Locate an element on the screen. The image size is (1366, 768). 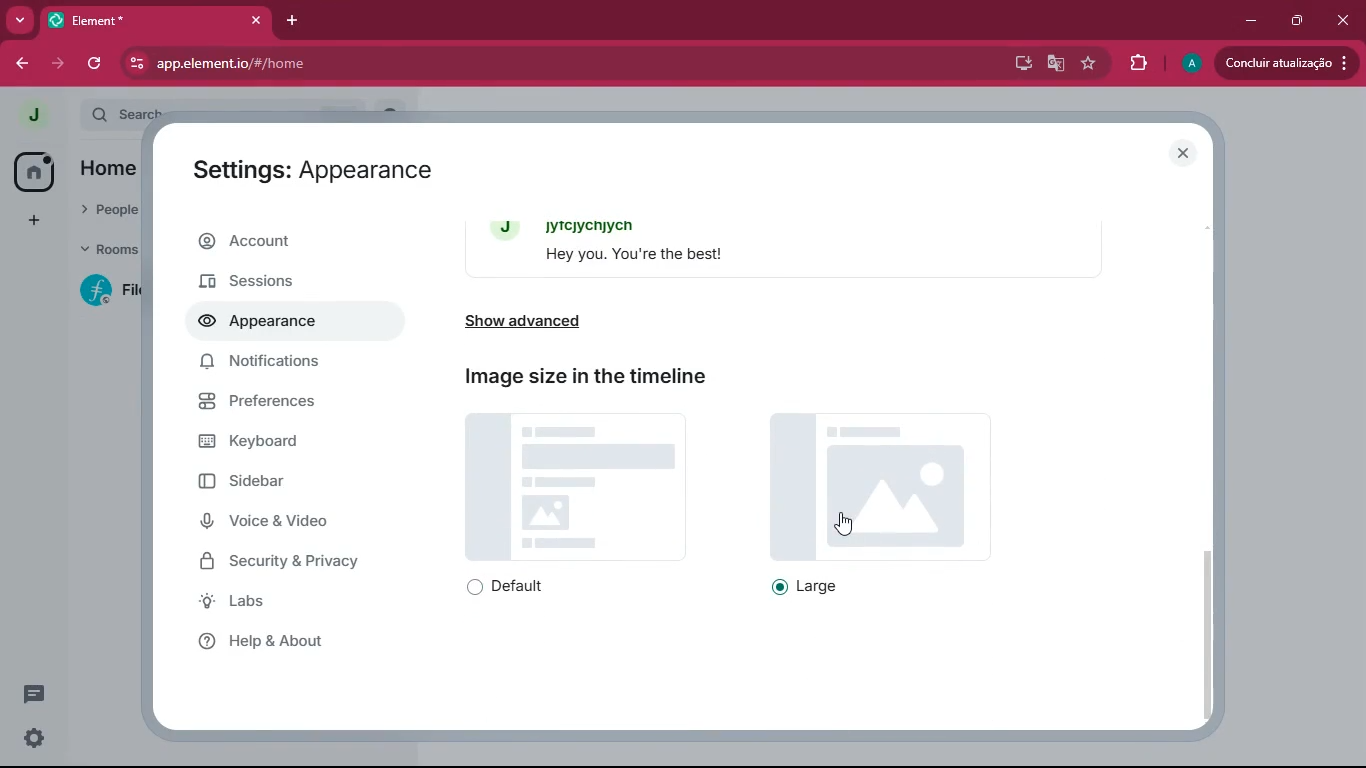
security & privacy  is located at coordinates (295, 561).